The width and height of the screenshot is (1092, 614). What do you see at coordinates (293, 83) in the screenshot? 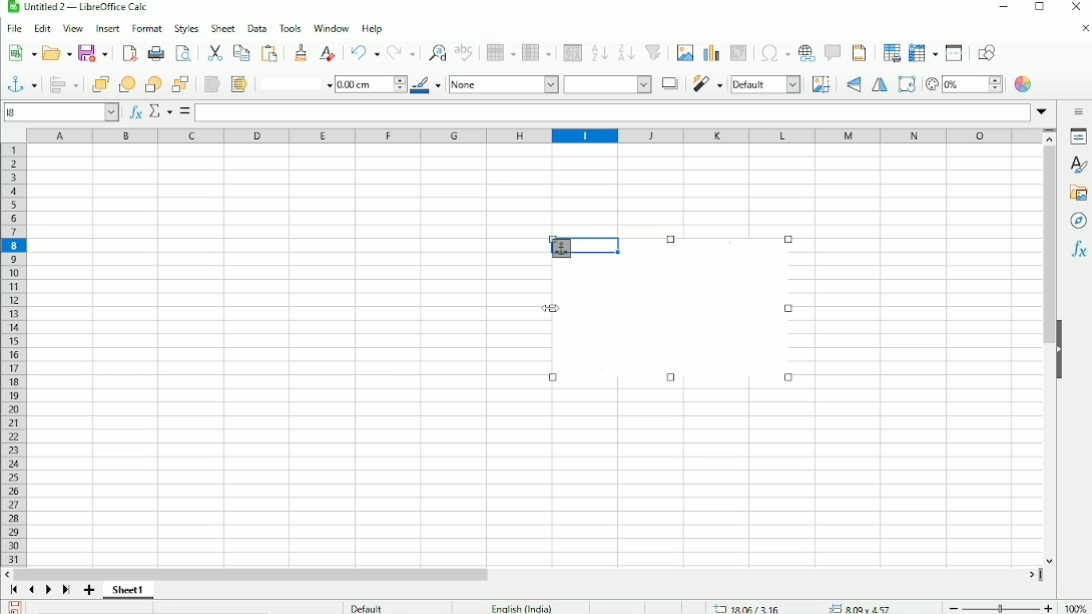
I see `Line style` at bounding box center [293, 83].